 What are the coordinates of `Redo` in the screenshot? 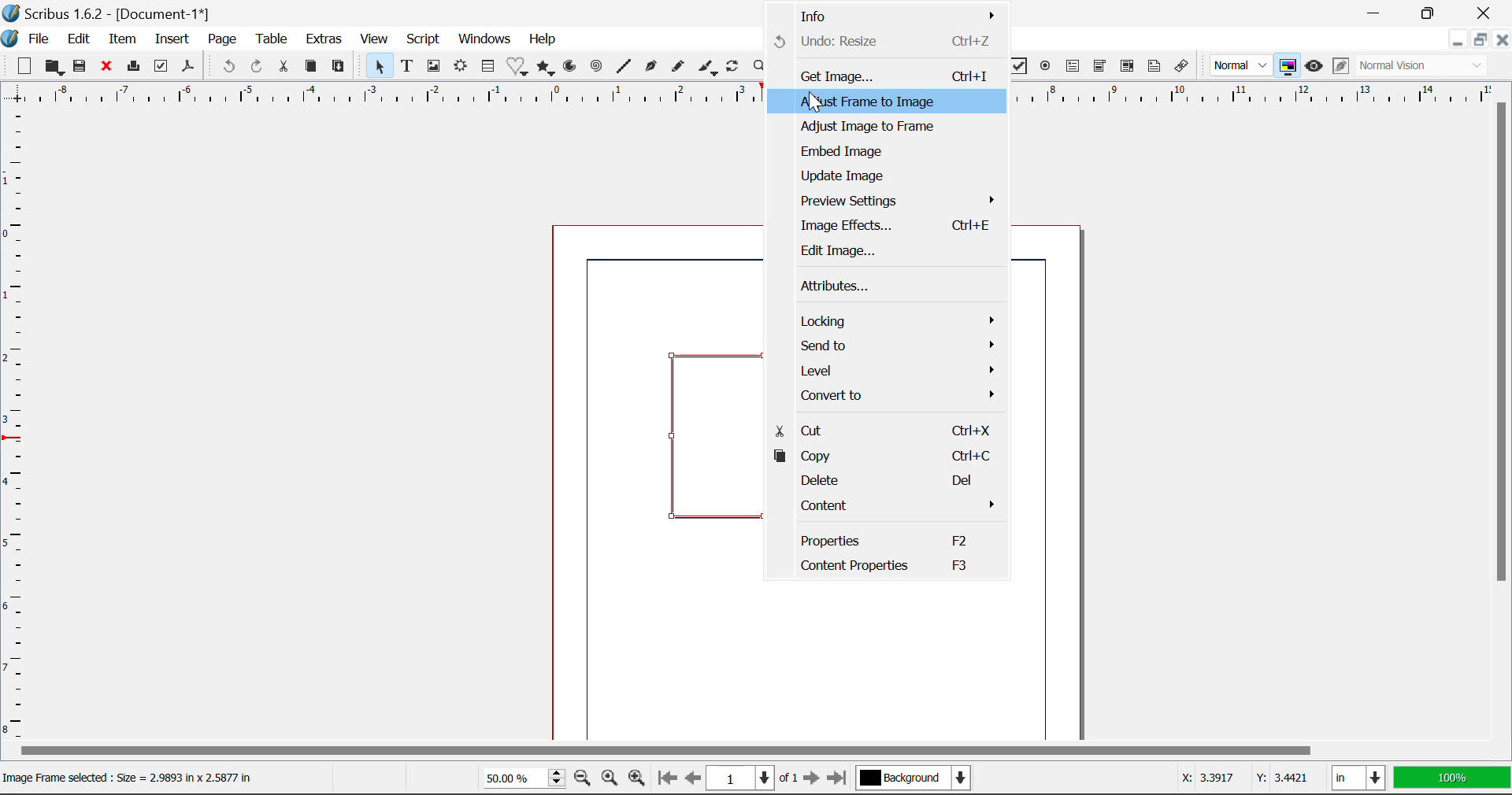 It's located at (260, 67).